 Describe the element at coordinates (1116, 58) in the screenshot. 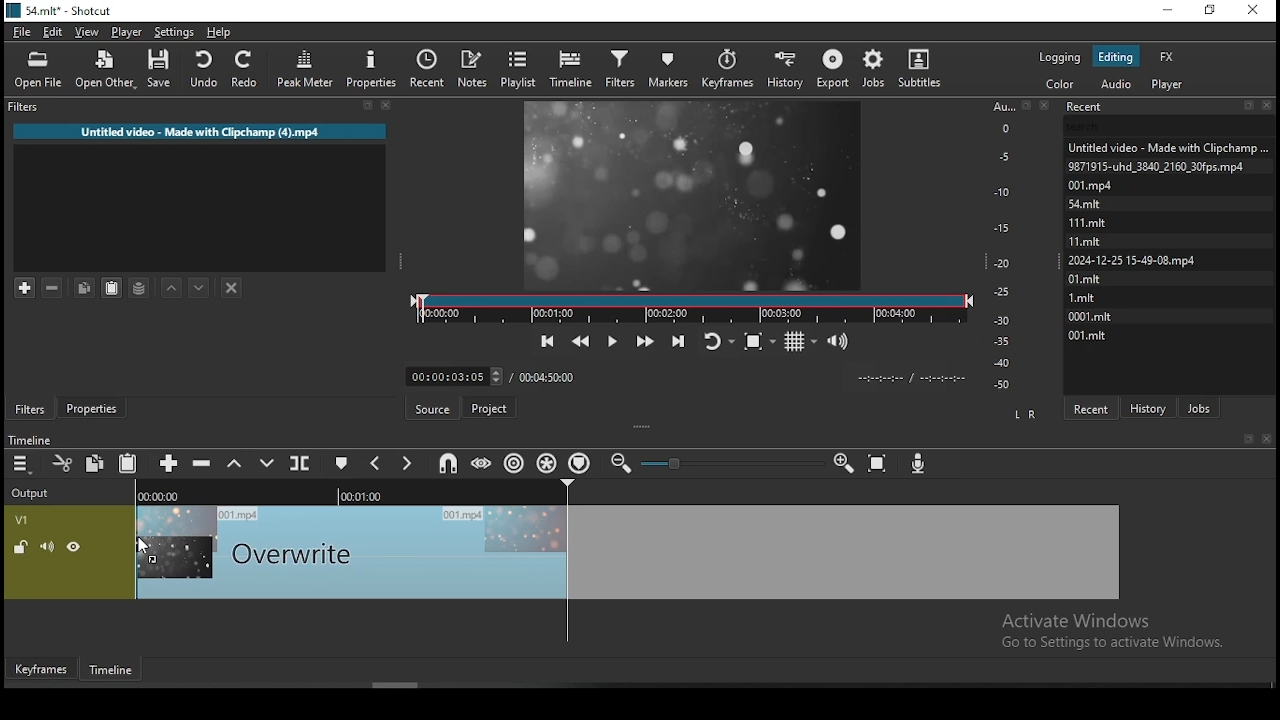

I see `editing` at that location.